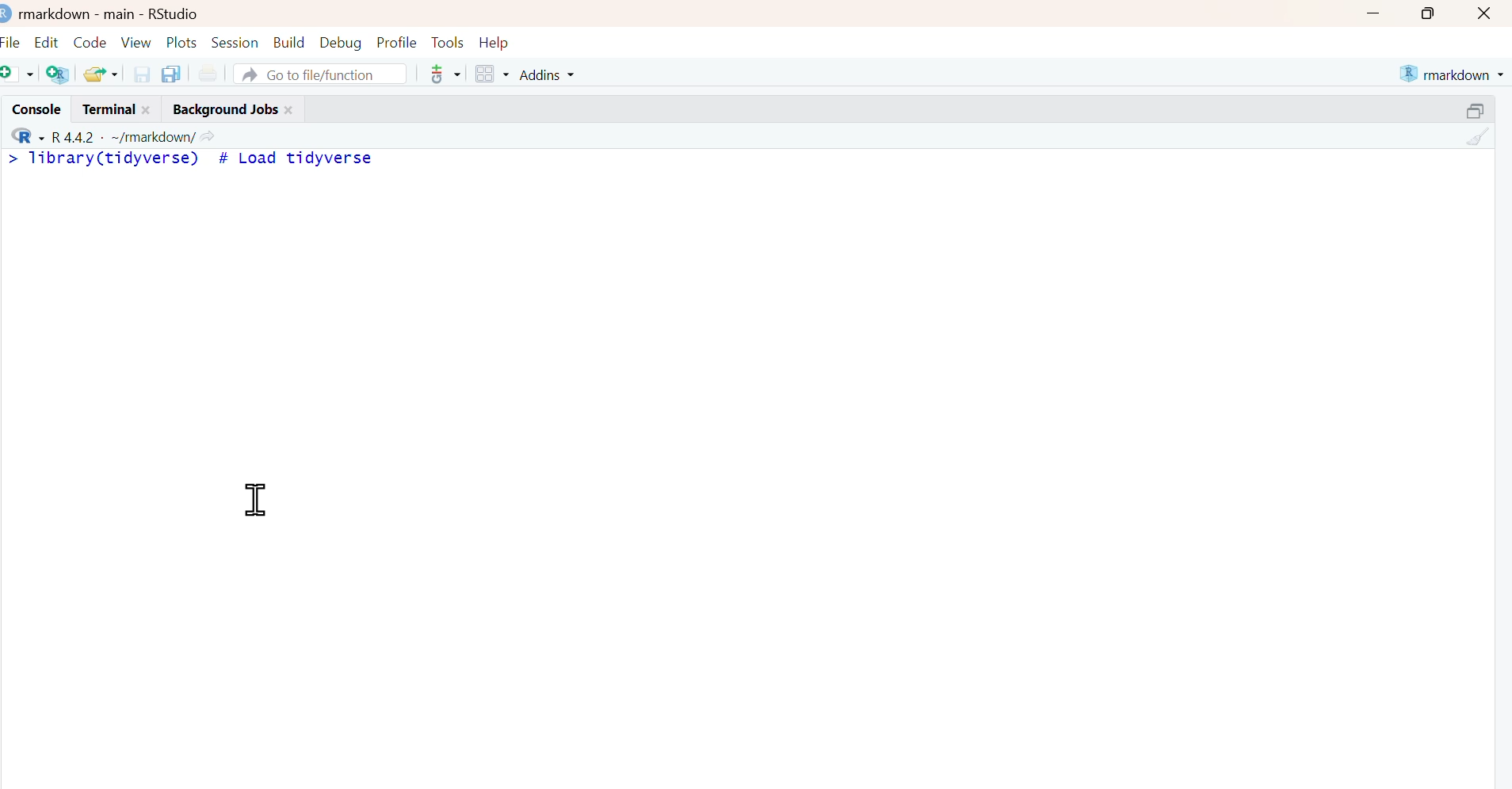 This screenshot has width=1512, height=789. I want to click on RStudio, so click(174, 12).